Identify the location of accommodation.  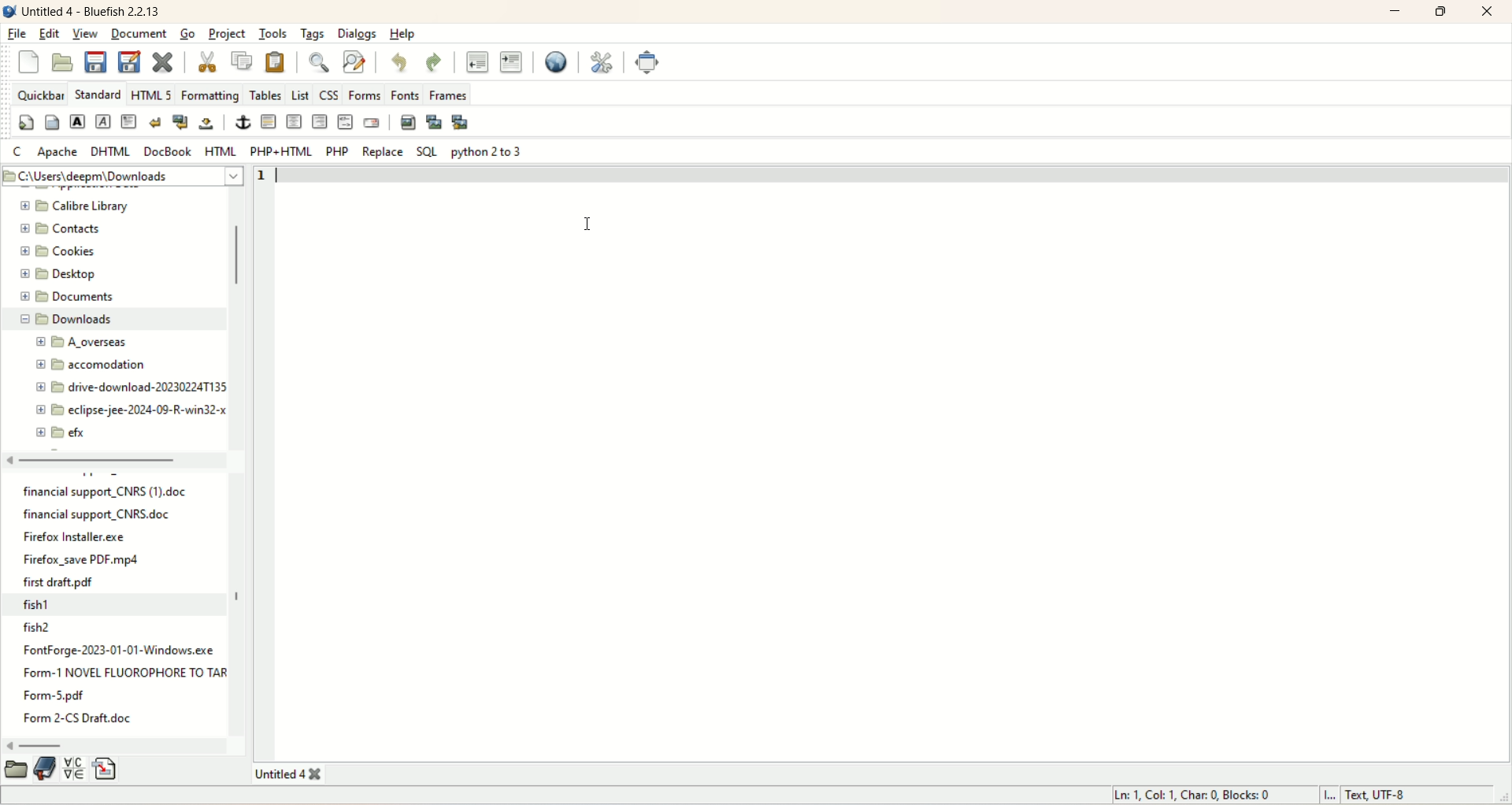
(91, 365).